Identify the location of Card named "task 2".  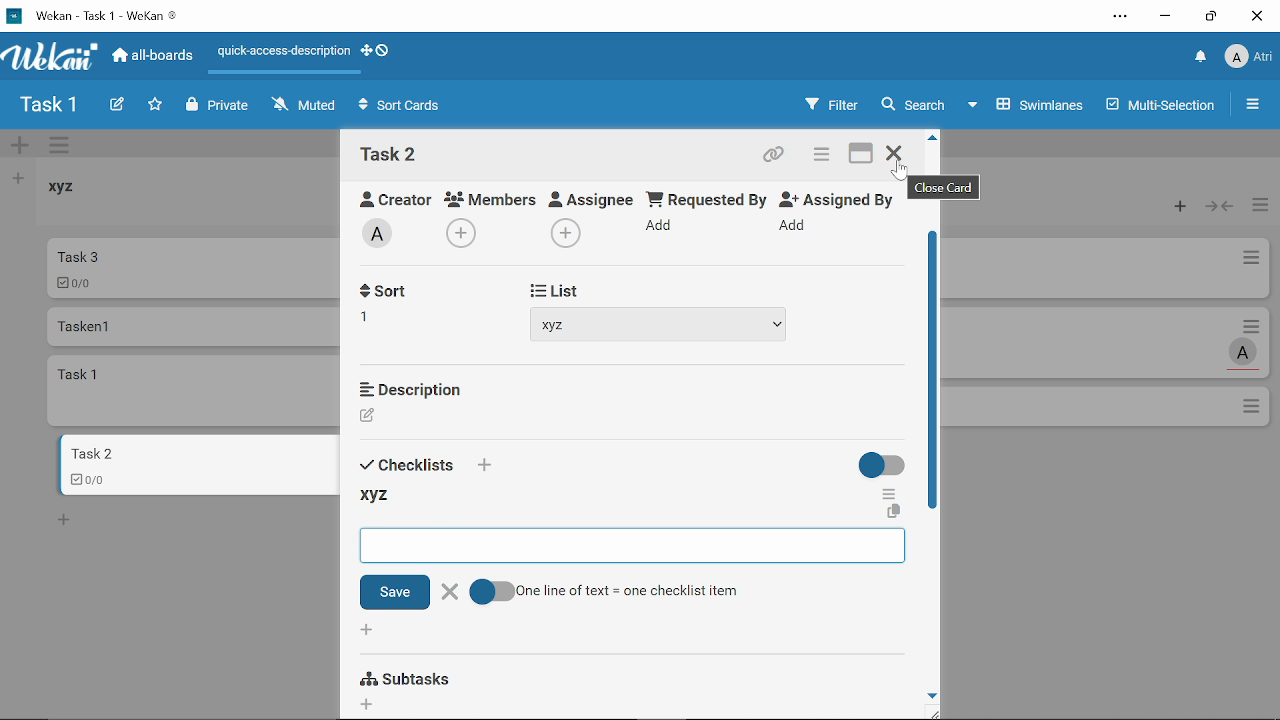
(196, 454).